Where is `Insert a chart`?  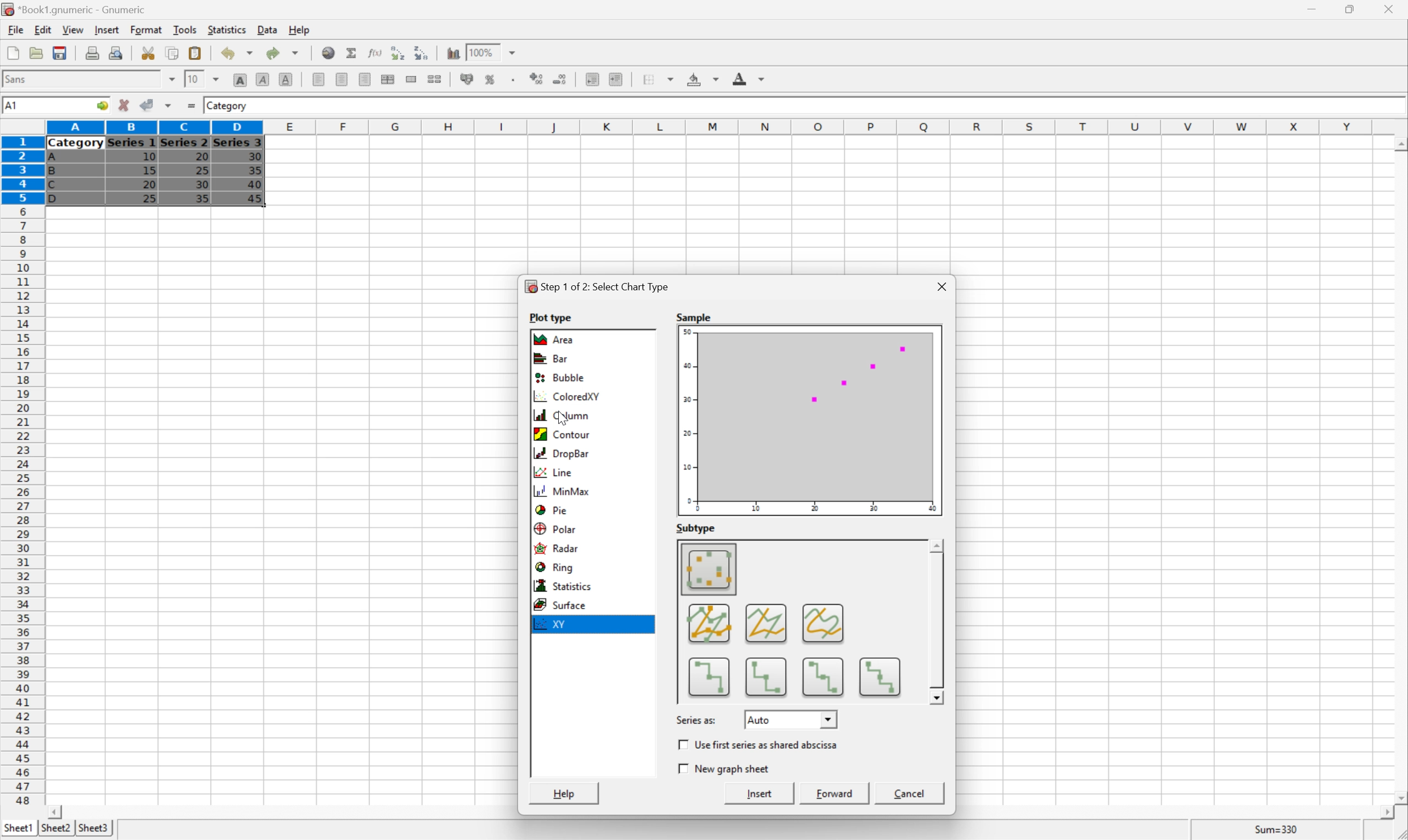 Insert a chart is located at coordinates (501, 77).